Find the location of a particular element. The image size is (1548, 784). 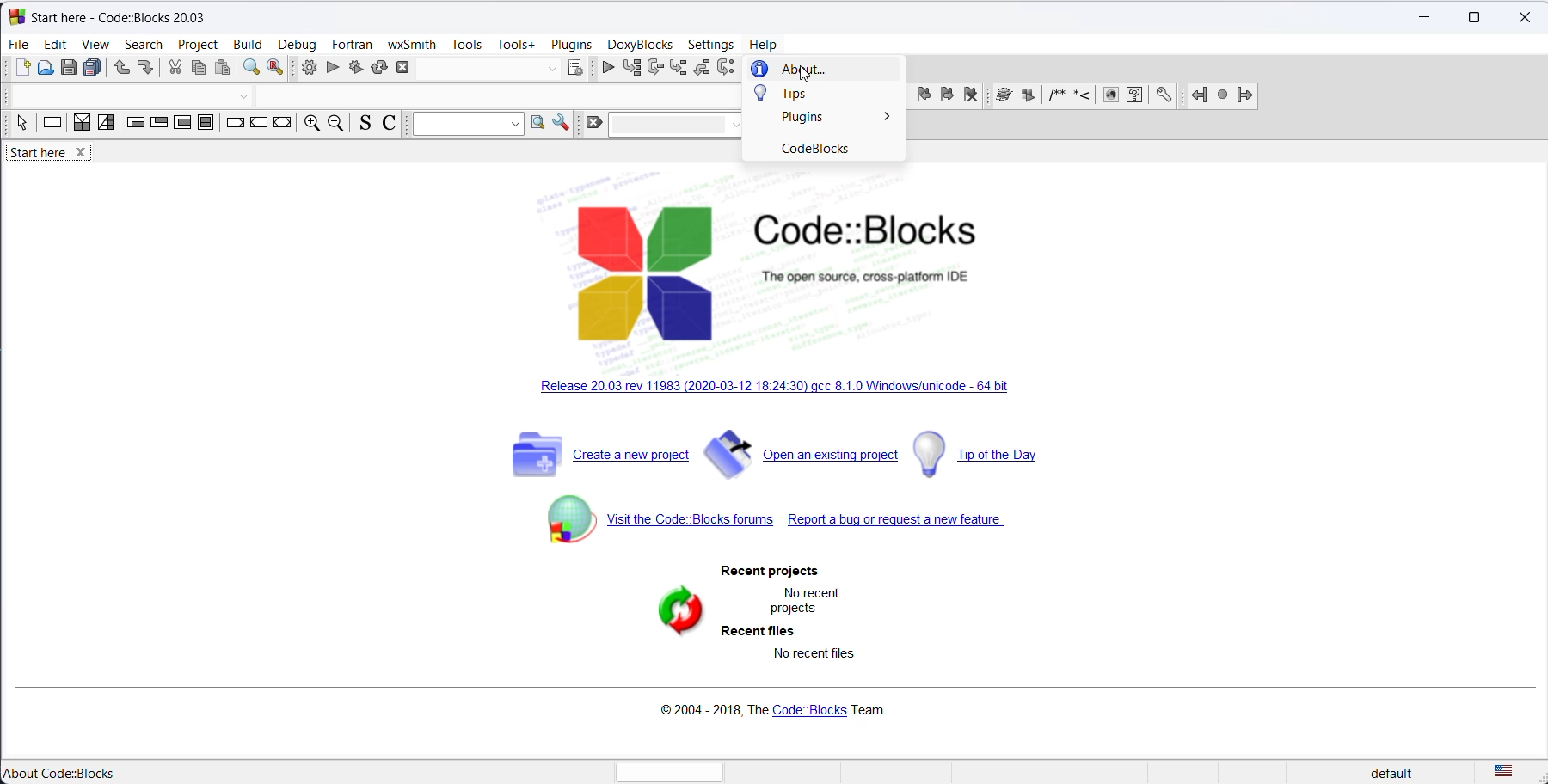

search box is located at coordinates (465, 126).